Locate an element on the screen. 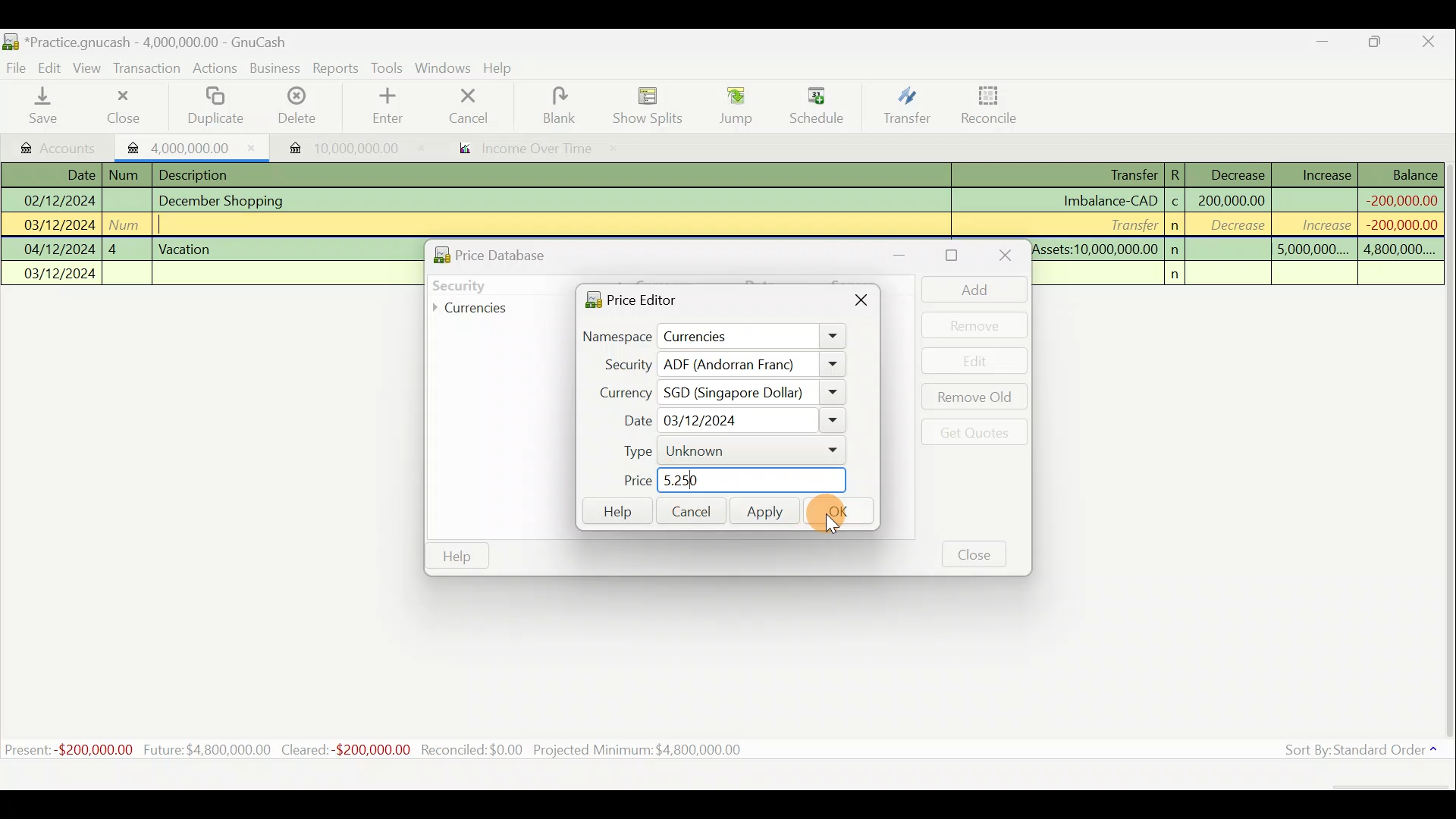 Image resolution: width=1456 pixels, height=819 pixels. -200,000,000 is located at coordinates (1399, 199).